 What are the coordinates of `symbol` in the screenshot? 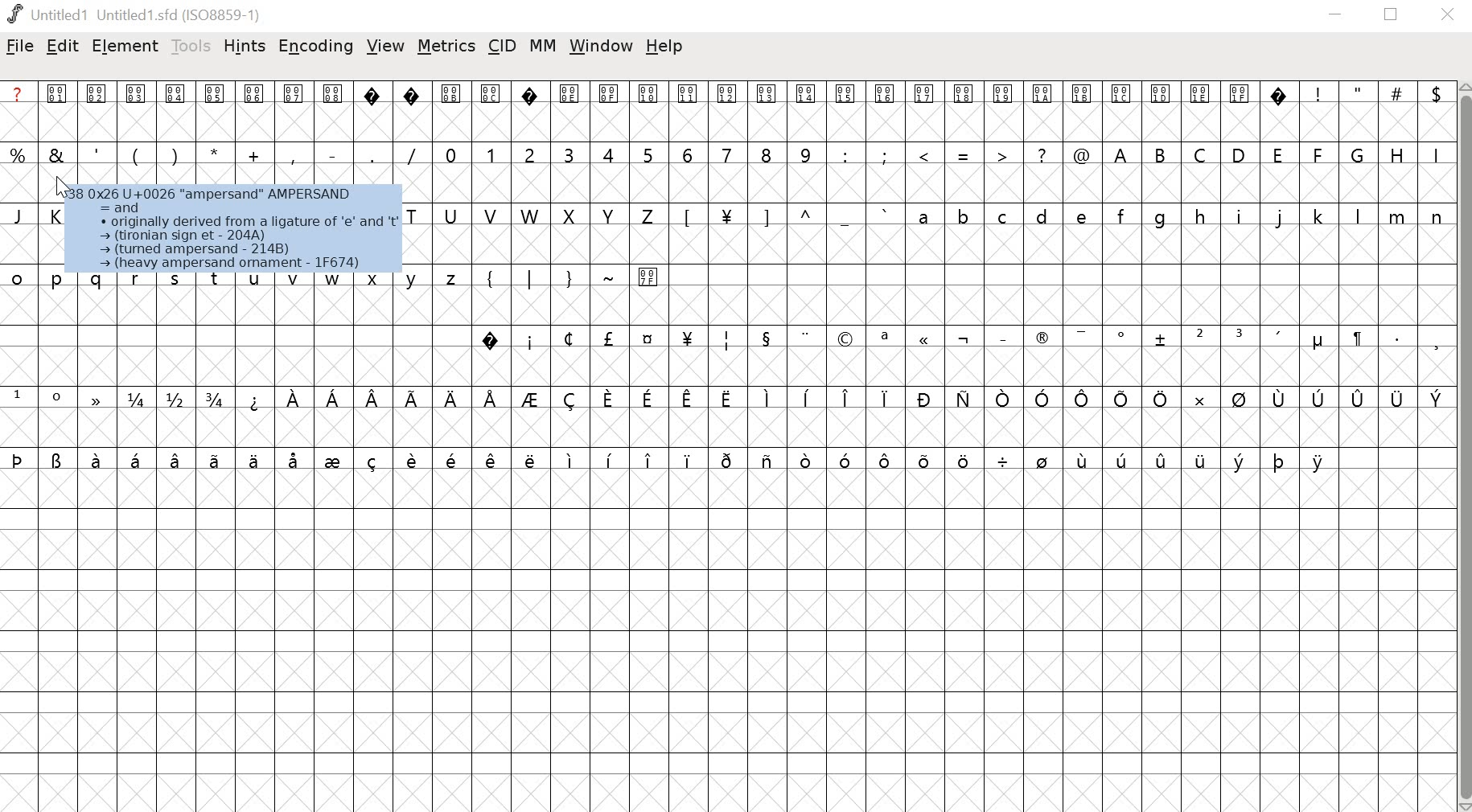 It's located at (532, 397).